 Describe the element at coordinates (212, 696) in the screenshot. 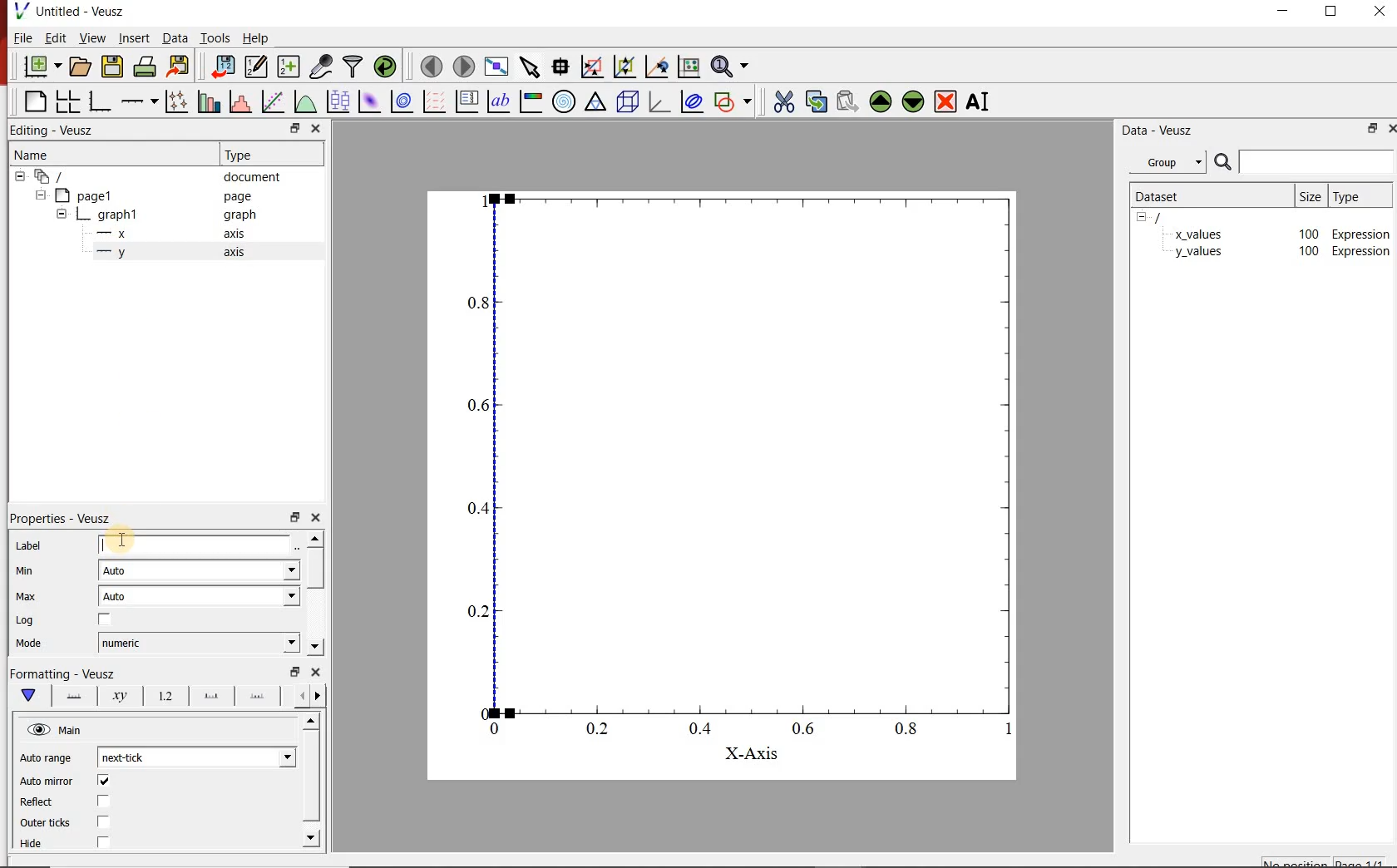

I see `major ticks` at that location.